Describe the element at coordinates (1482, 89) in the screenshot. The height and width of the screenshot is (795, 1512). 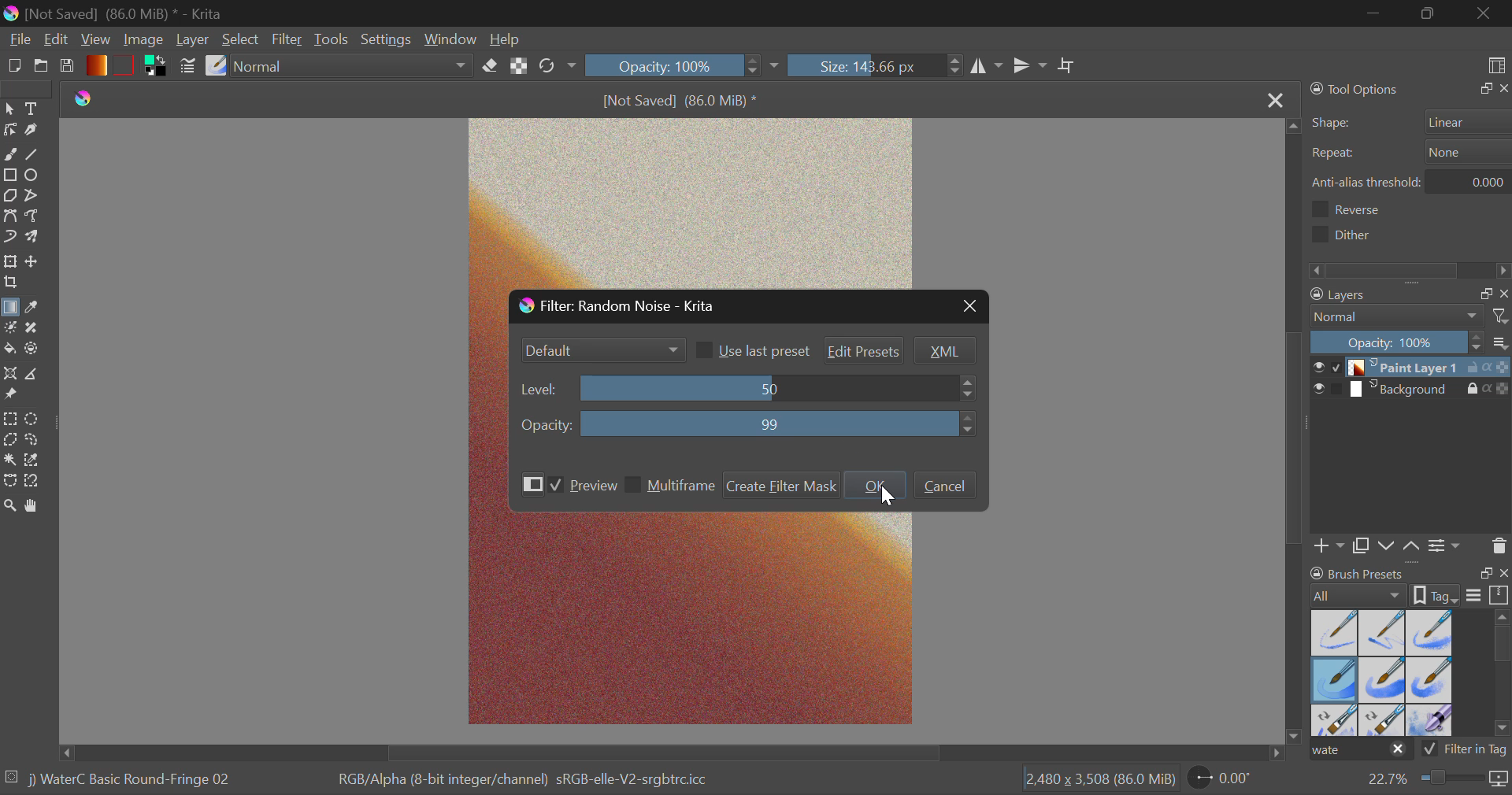
I see `expand ` at that location.